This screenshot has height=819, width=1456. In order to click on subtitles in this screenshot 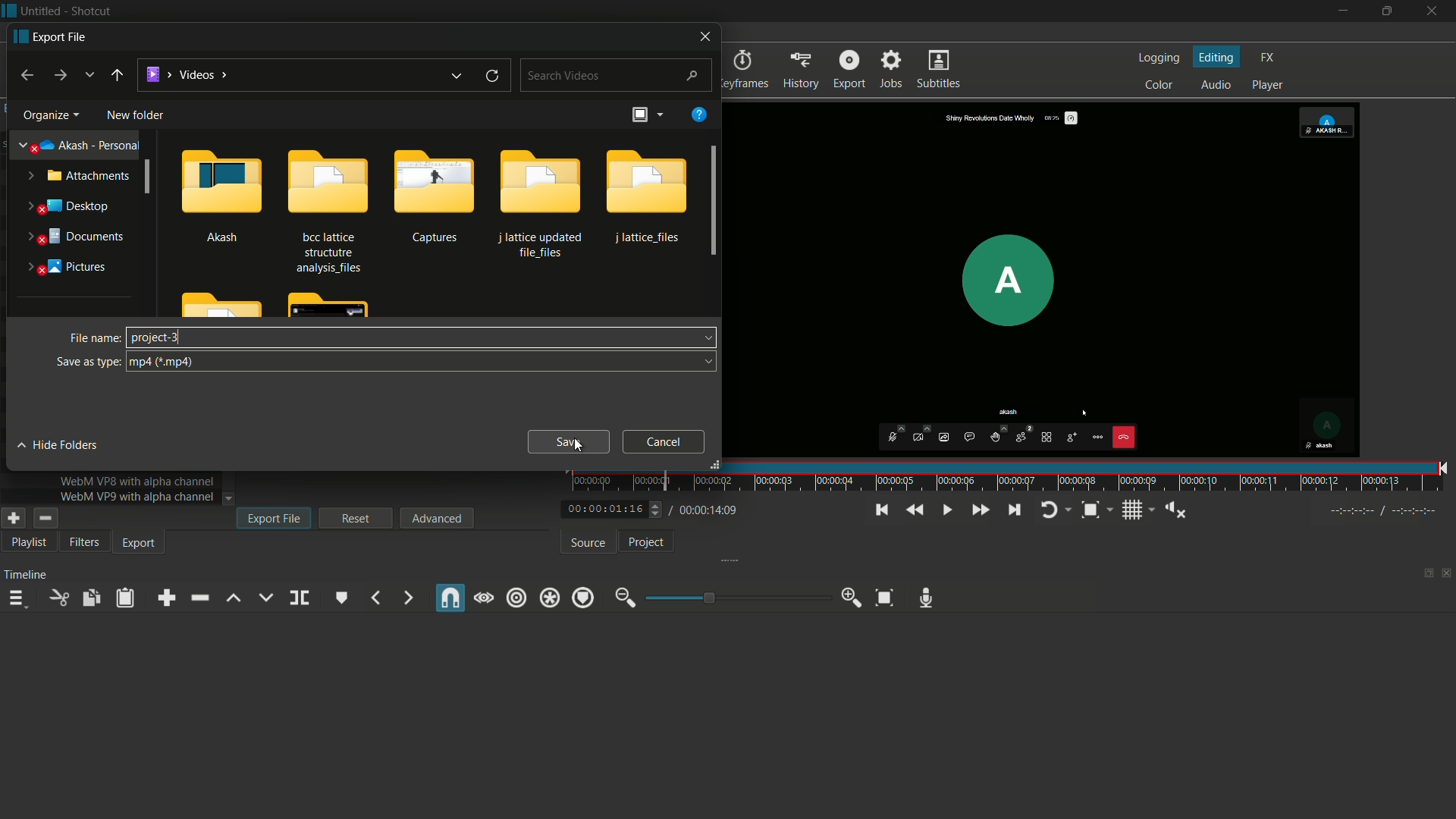, I will do `click(939, 70)`.